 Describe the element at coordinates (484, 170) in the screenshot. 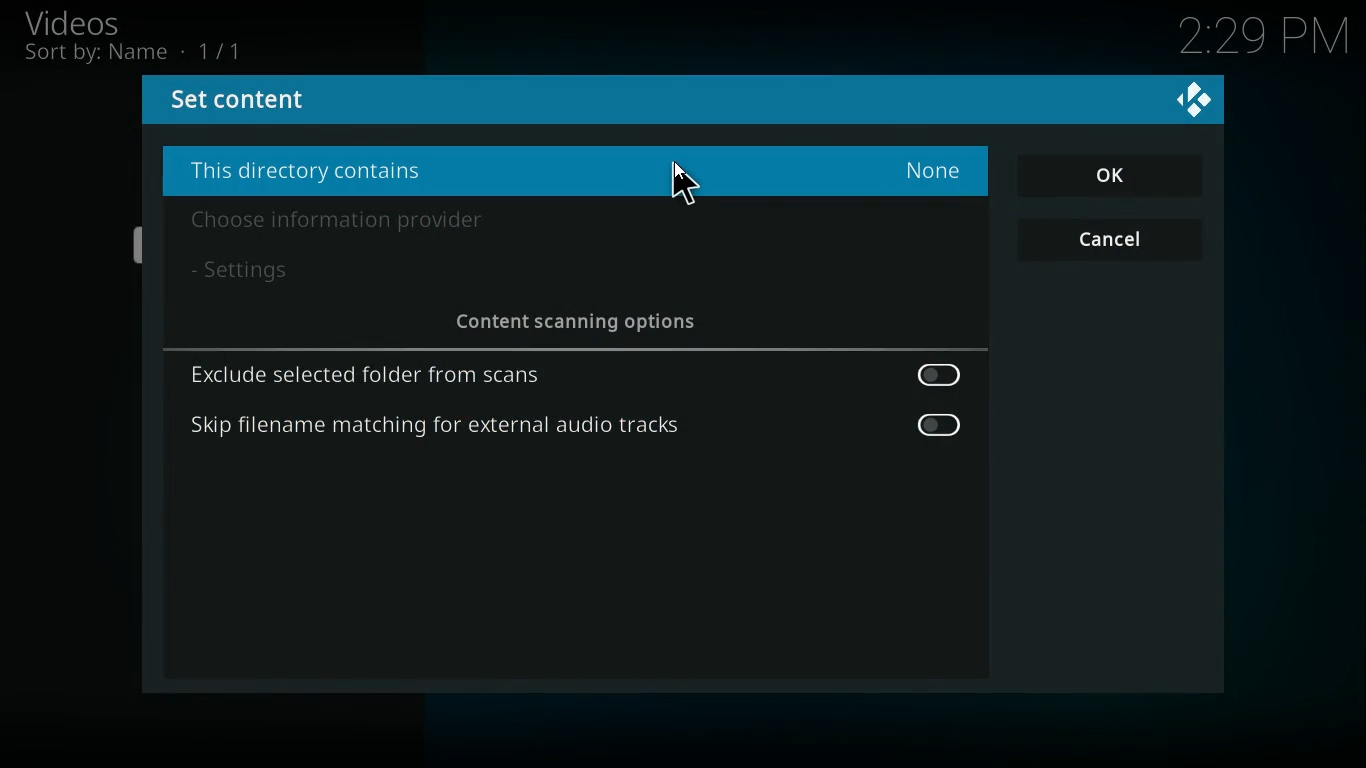

I see `this directory contains` at that location.